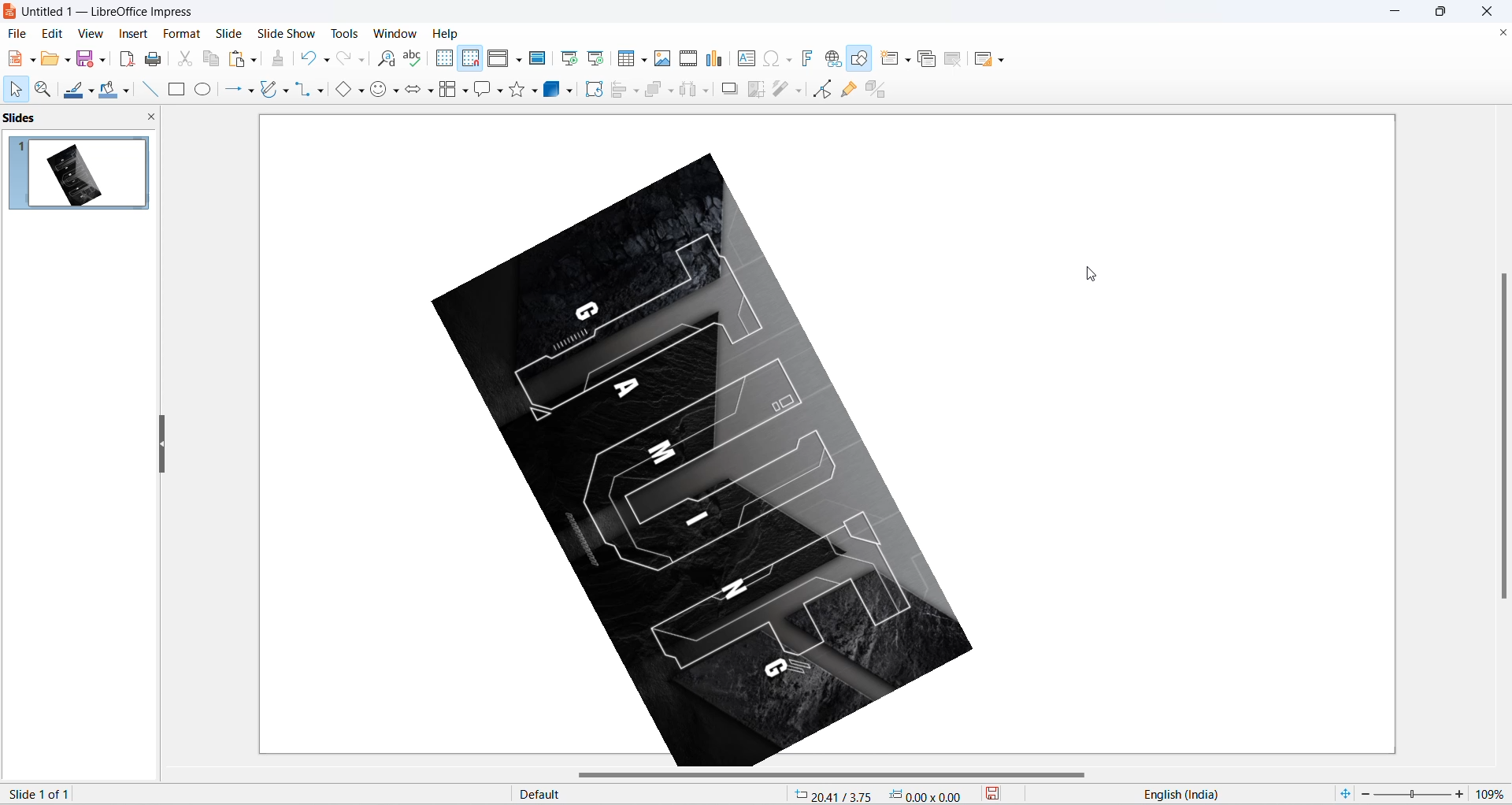  I want to click on new slide options, so click(910, 60).